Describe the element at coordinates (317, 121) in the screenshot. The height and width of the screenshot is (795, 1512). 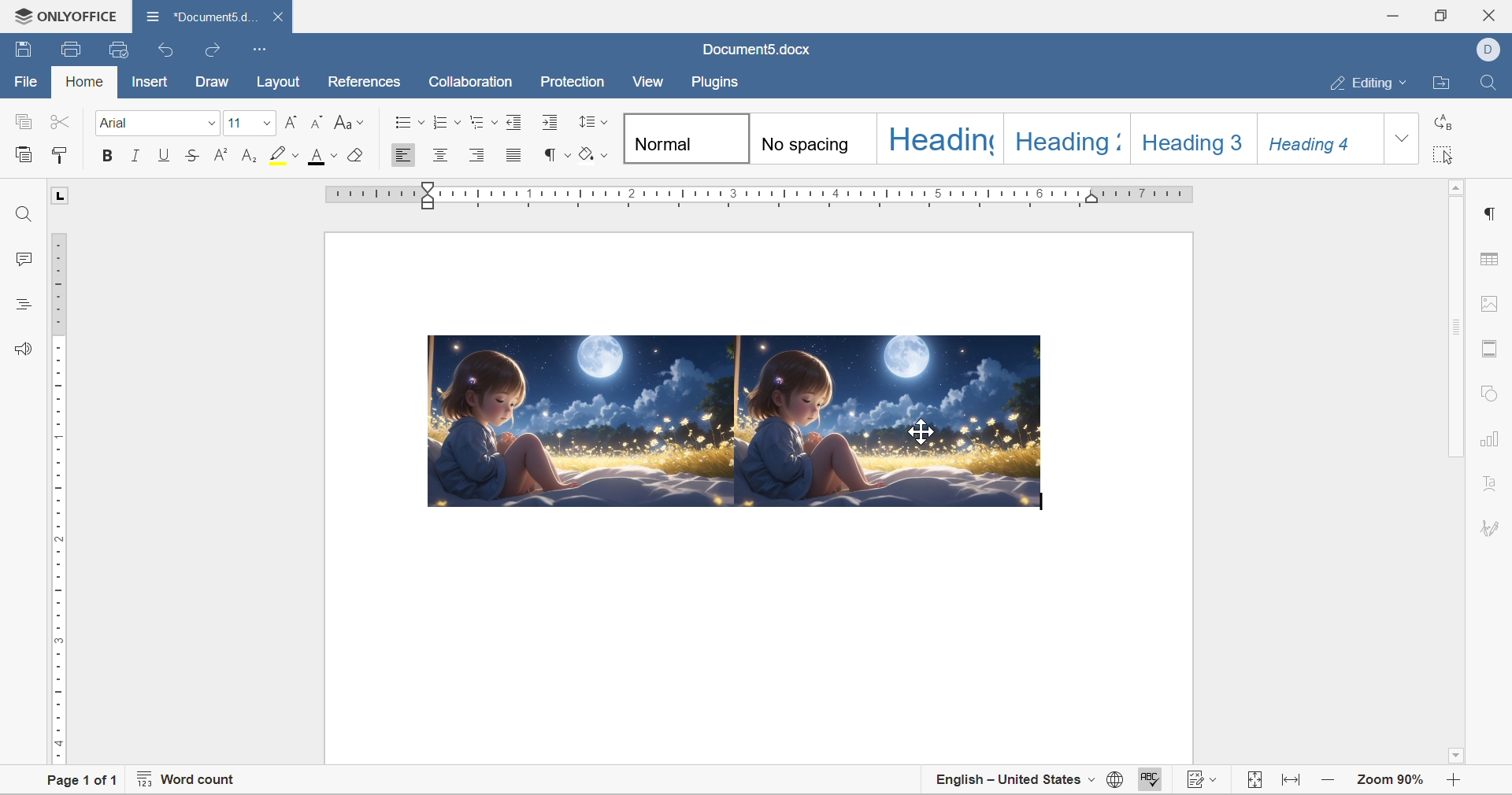
I see `Decrement font size` at that location.